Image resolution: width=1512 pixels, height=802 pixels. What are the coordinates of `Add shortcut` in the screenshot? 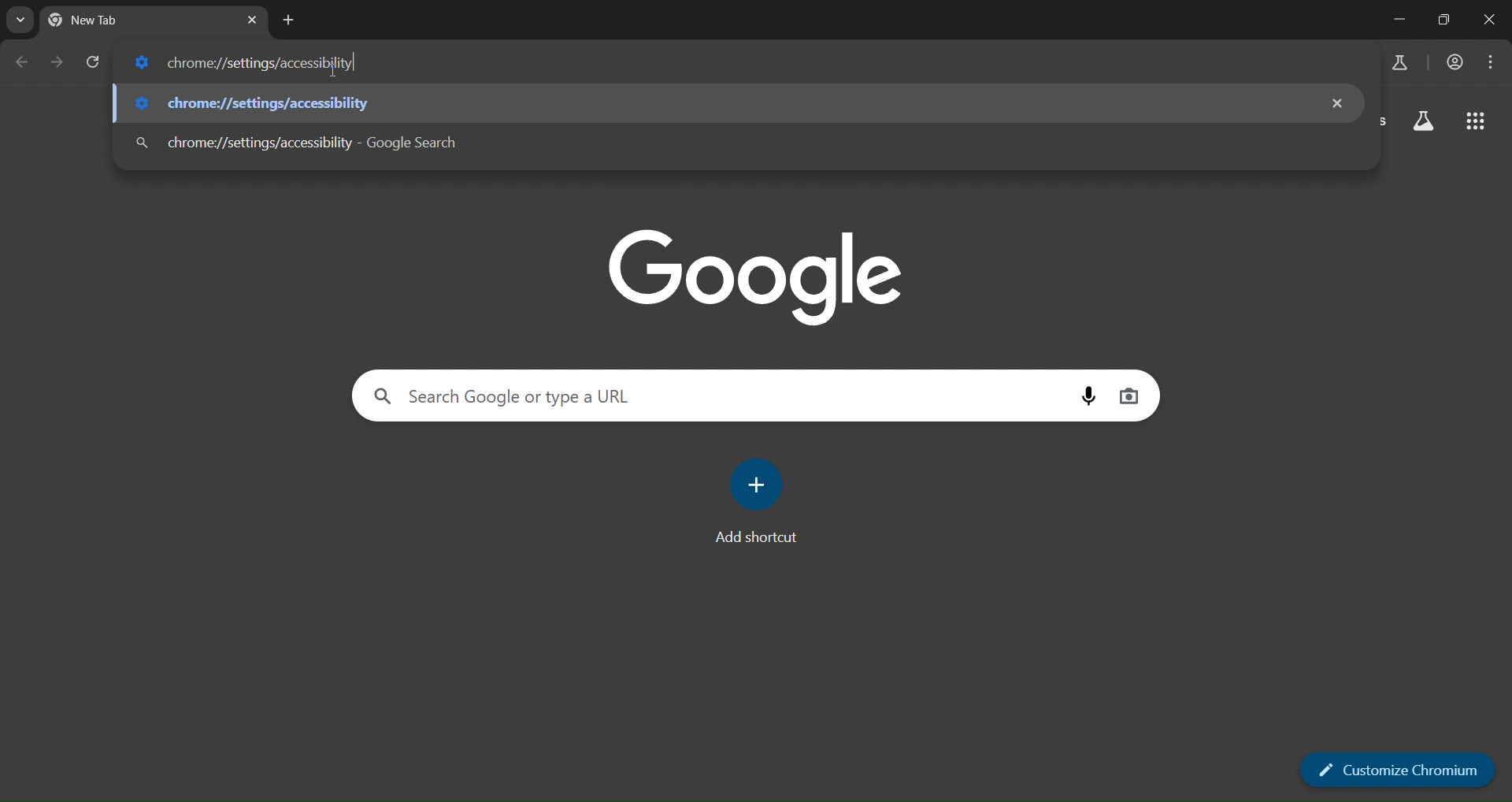 It's located at (751, 539).